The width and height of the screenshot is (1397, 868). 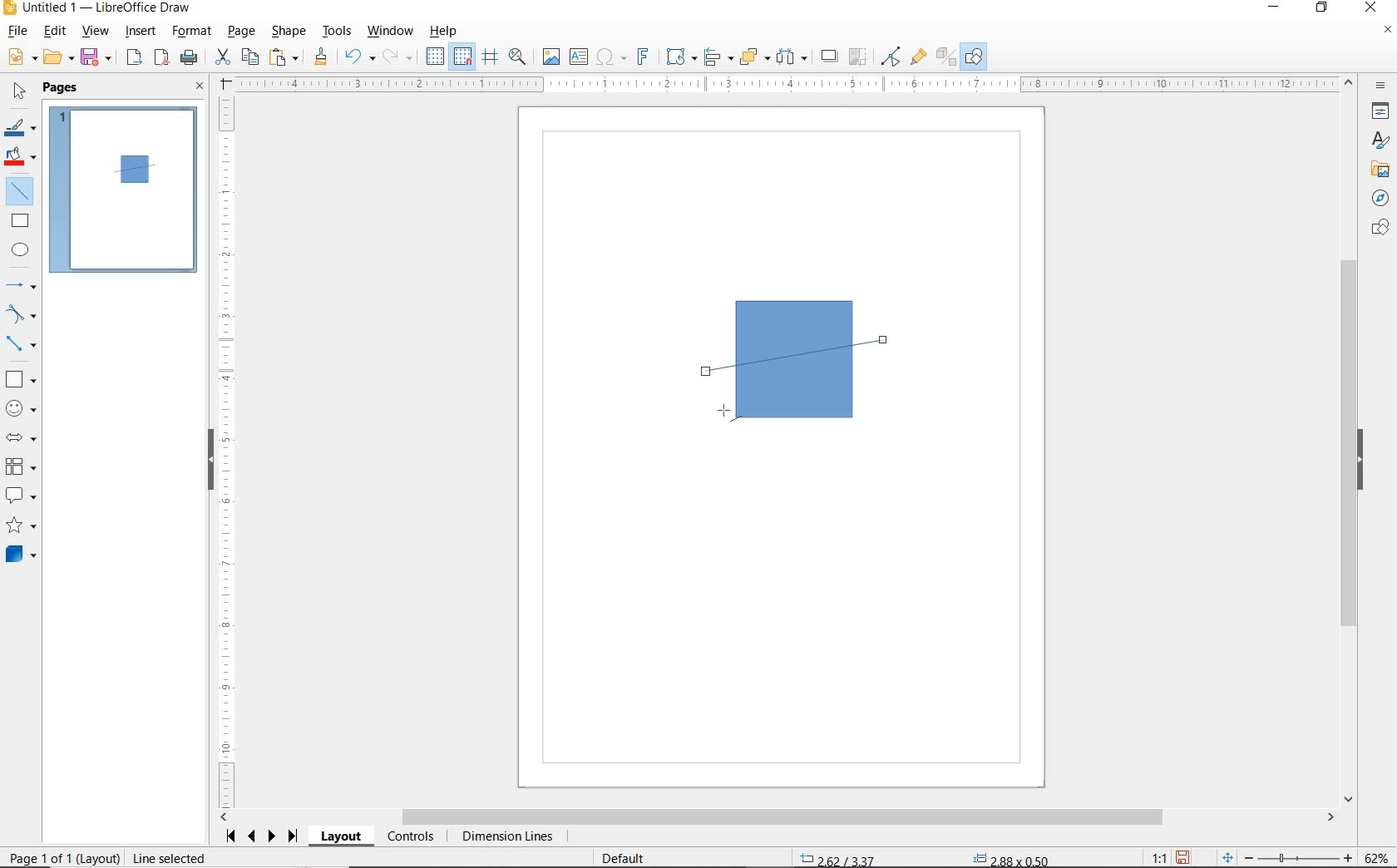 What do you see at coordinates (402, 57) in the screenshot?
I see `REDO` at bounding box center [402, 57].